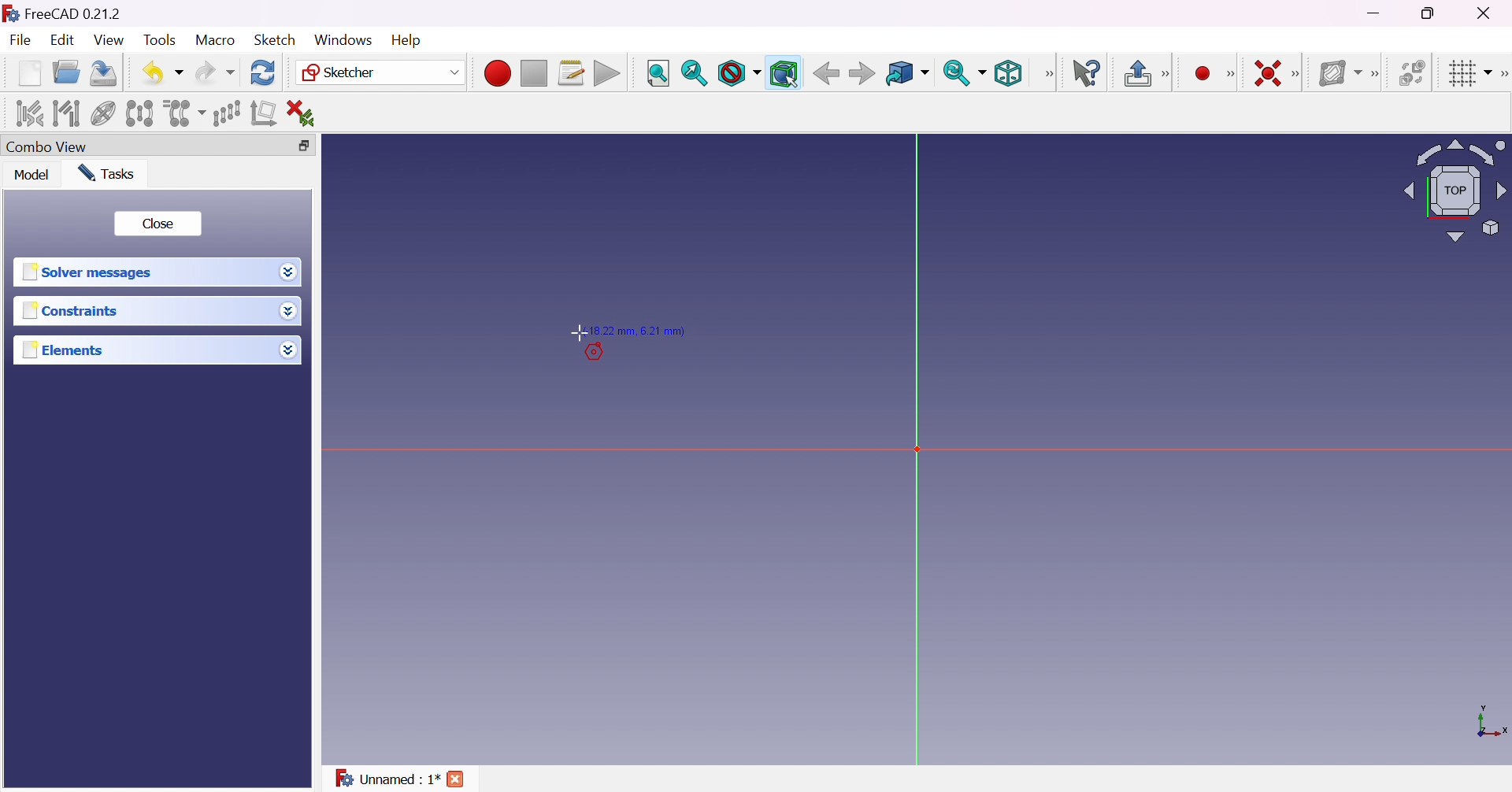 This screenshot has width=1512, height=792. Describe the element at coordinates (381, 72) in the screenshot. I see `Sketcher` at that location.